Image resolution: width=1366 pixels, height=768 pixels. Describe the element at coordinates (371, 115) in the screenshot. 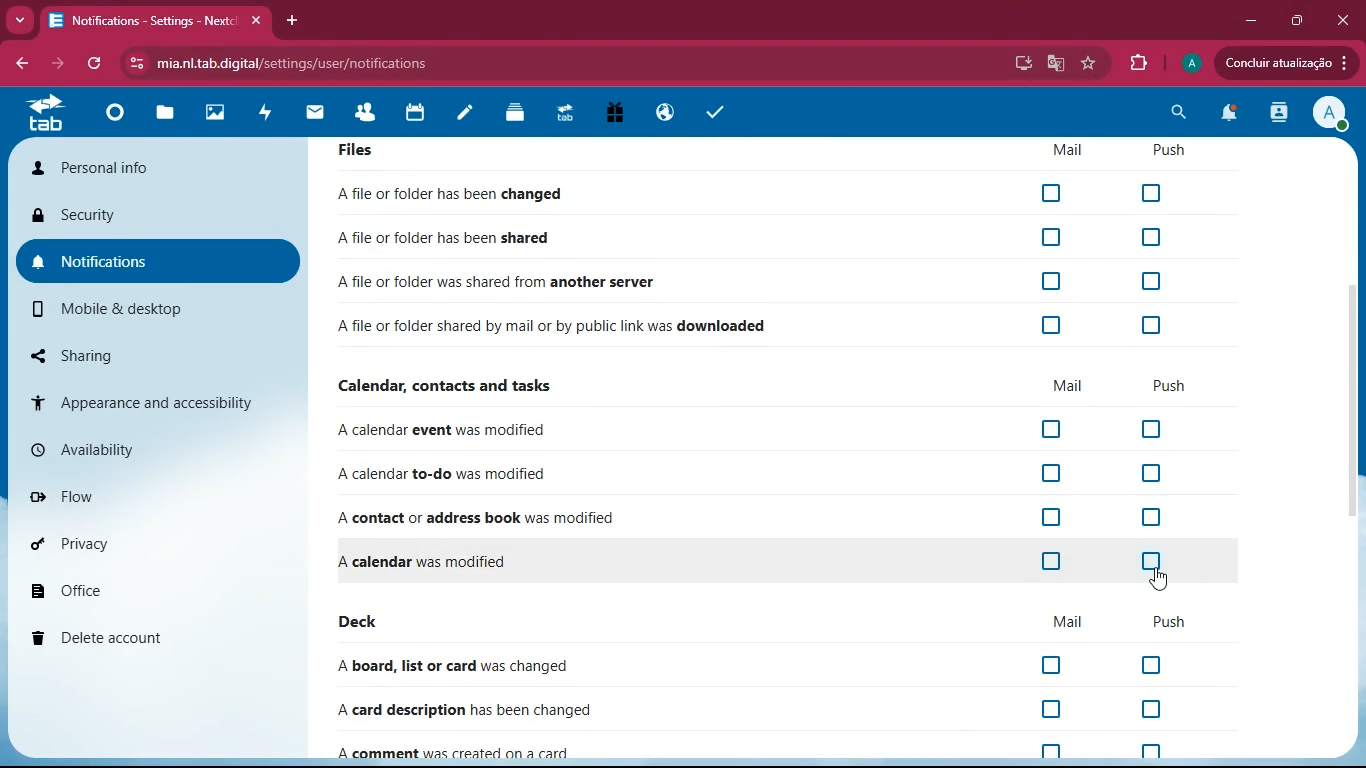

I see `friends` at that location.